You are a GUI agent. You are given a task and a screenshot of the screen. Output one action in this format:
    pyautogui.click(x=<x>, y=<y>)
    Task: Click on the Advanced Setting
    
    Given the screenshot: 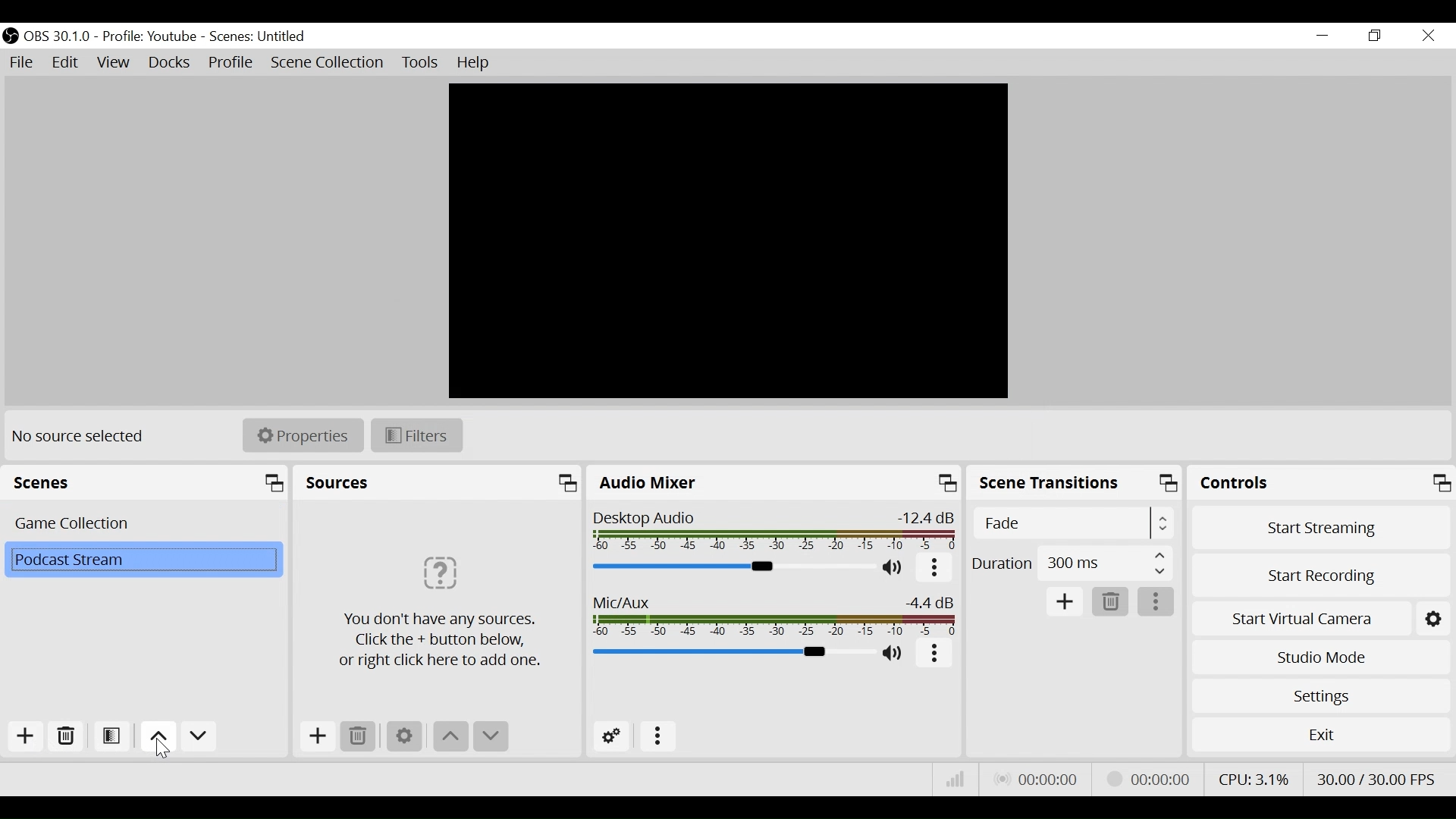 What is the action you would take?
    pyautogui.click(x=612, y=736)
    